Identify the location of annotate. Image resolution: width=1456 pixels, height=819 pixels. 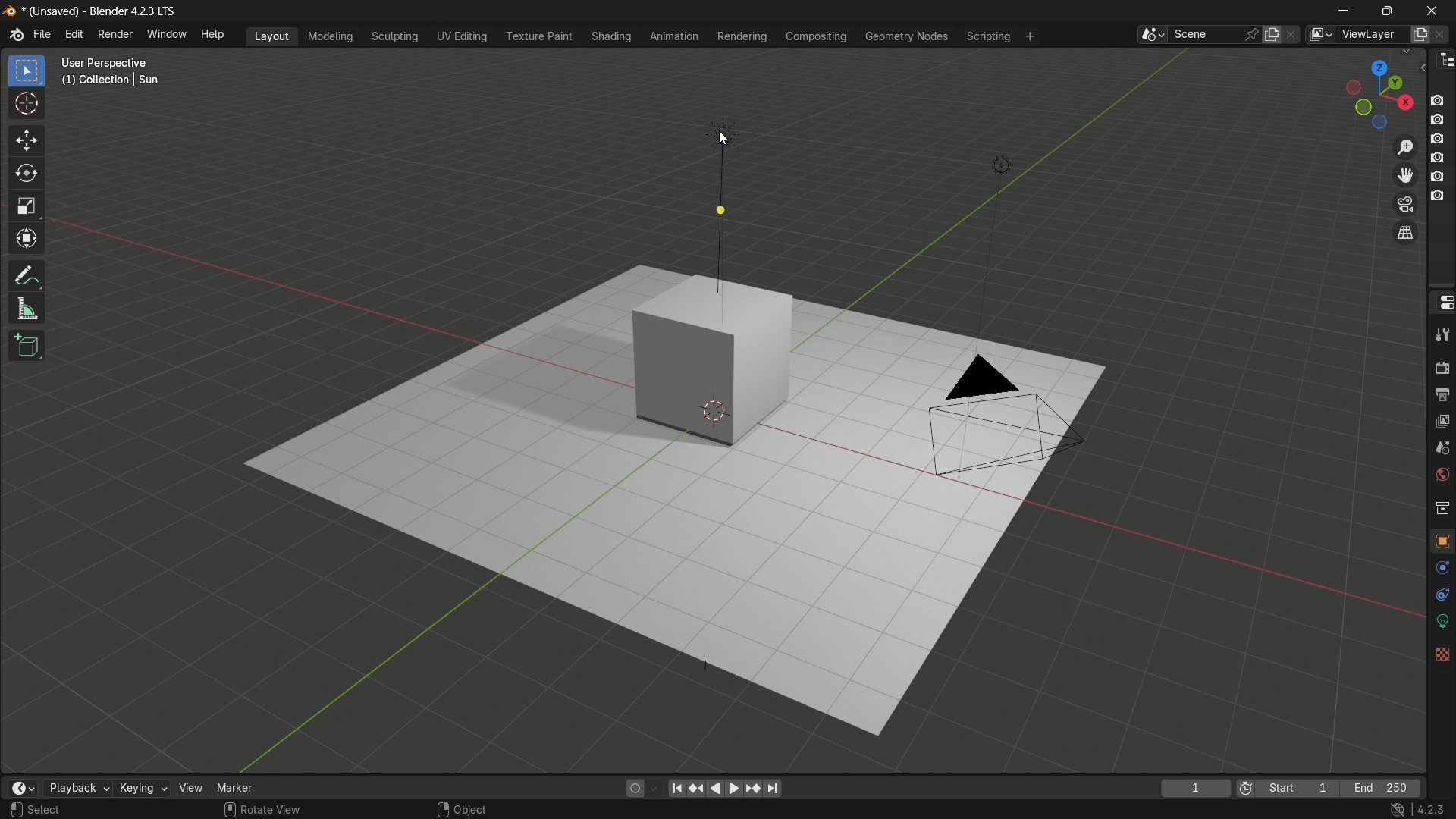
(28, 277).